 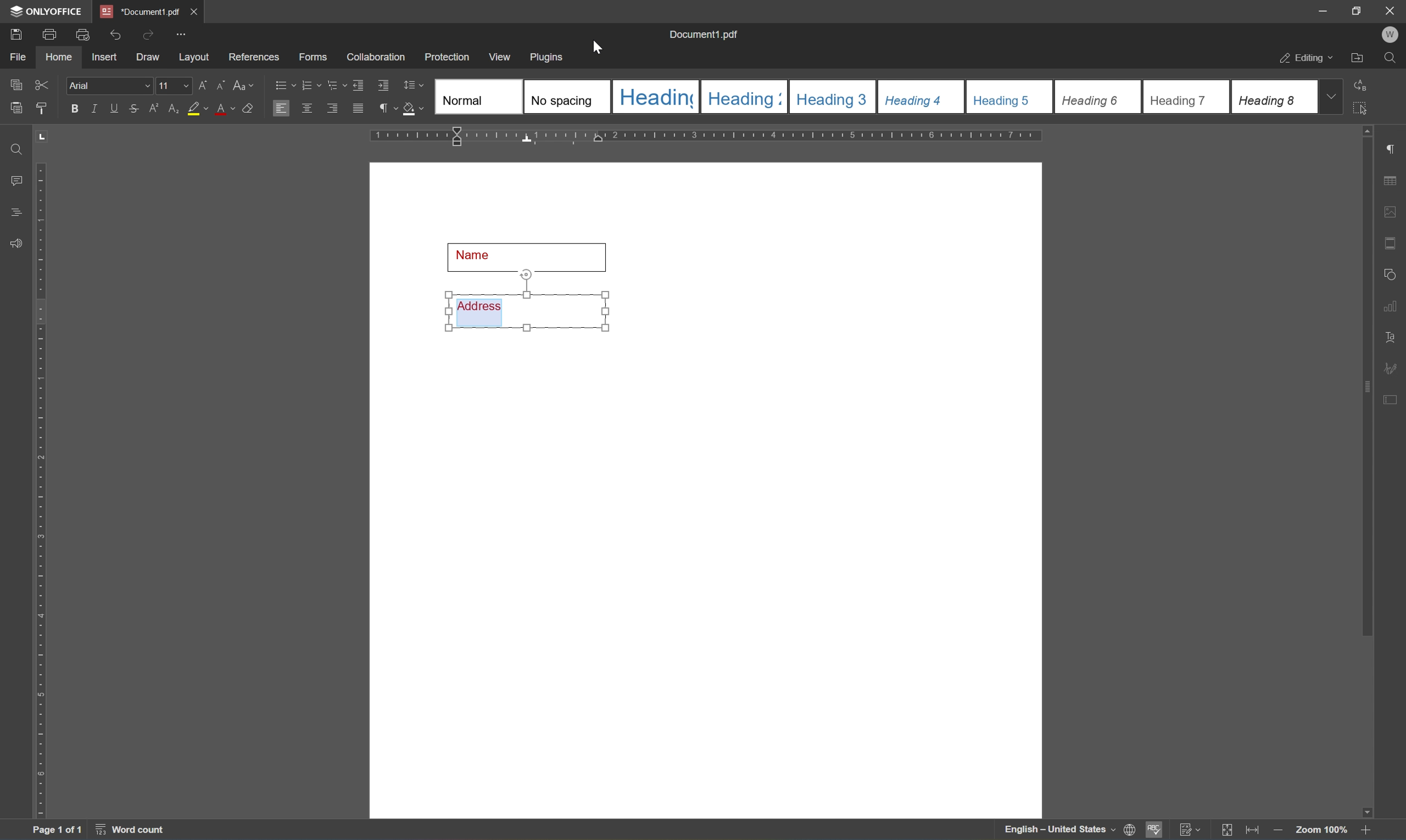 What do you see at coordinates (47, 36) in the screenshot?
I see `print` at bounding box center [47, 36].